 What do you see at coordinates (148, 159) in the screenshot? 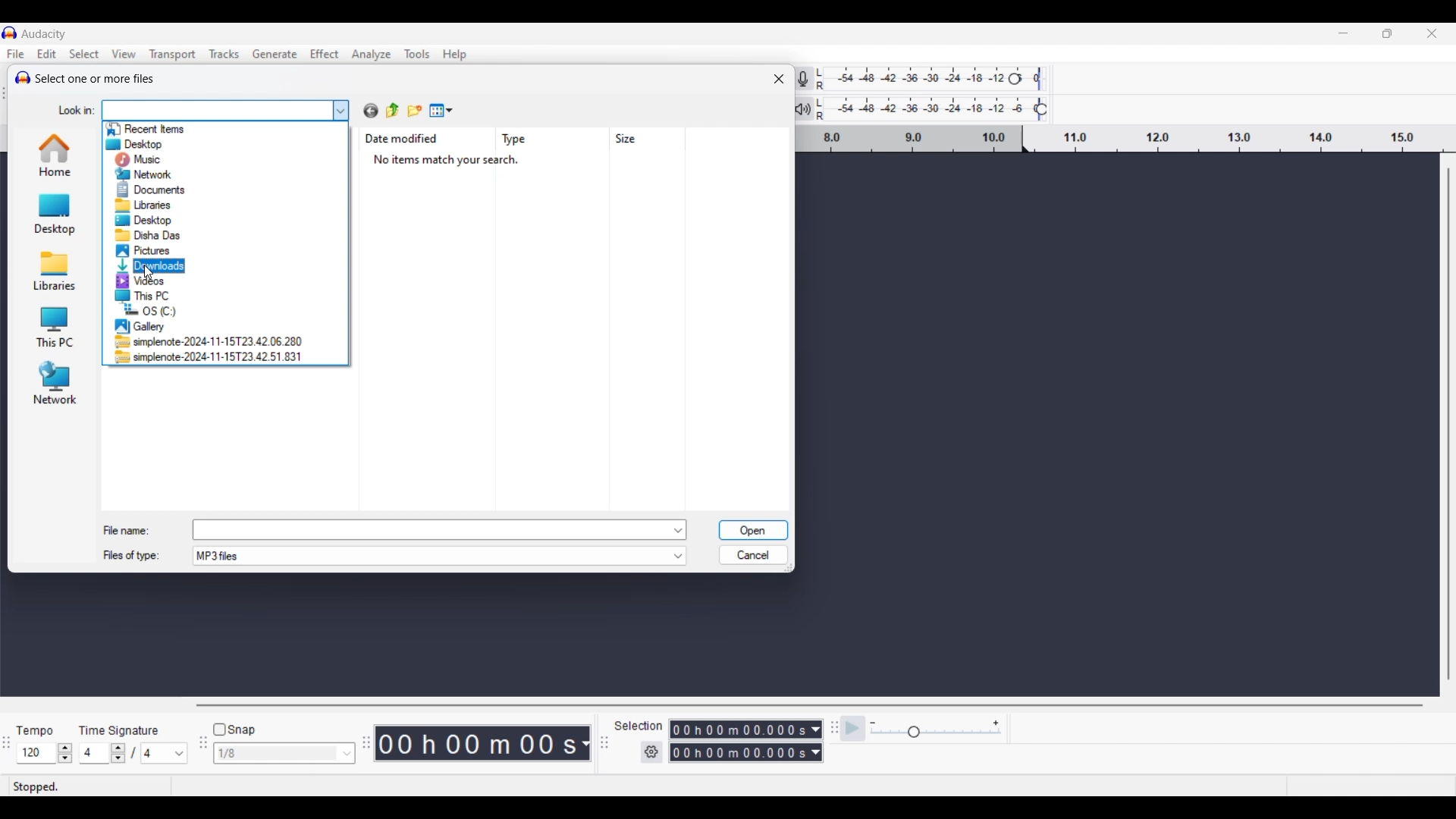
I see `Music` at bounding box center [148, 159].